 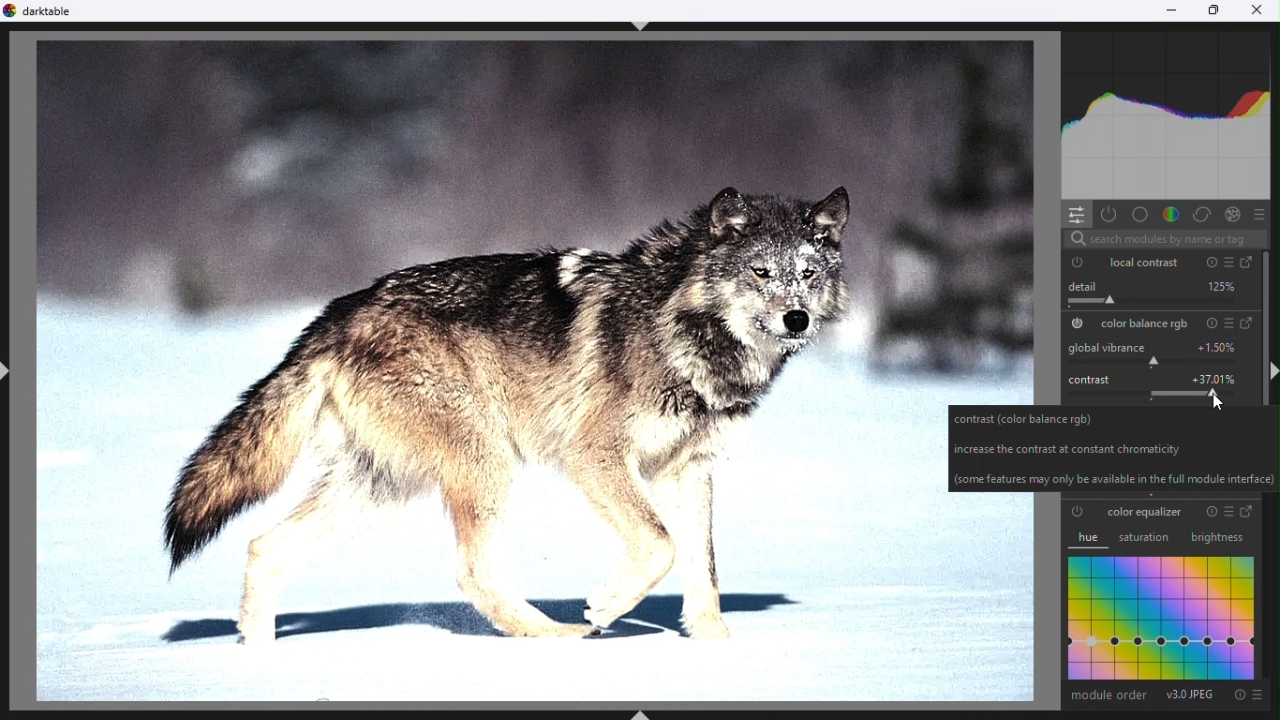 What do you see at coordinates (484, 372) in the screenshot?
I see `image after increasing contrast` at bounding box center [484, 372].